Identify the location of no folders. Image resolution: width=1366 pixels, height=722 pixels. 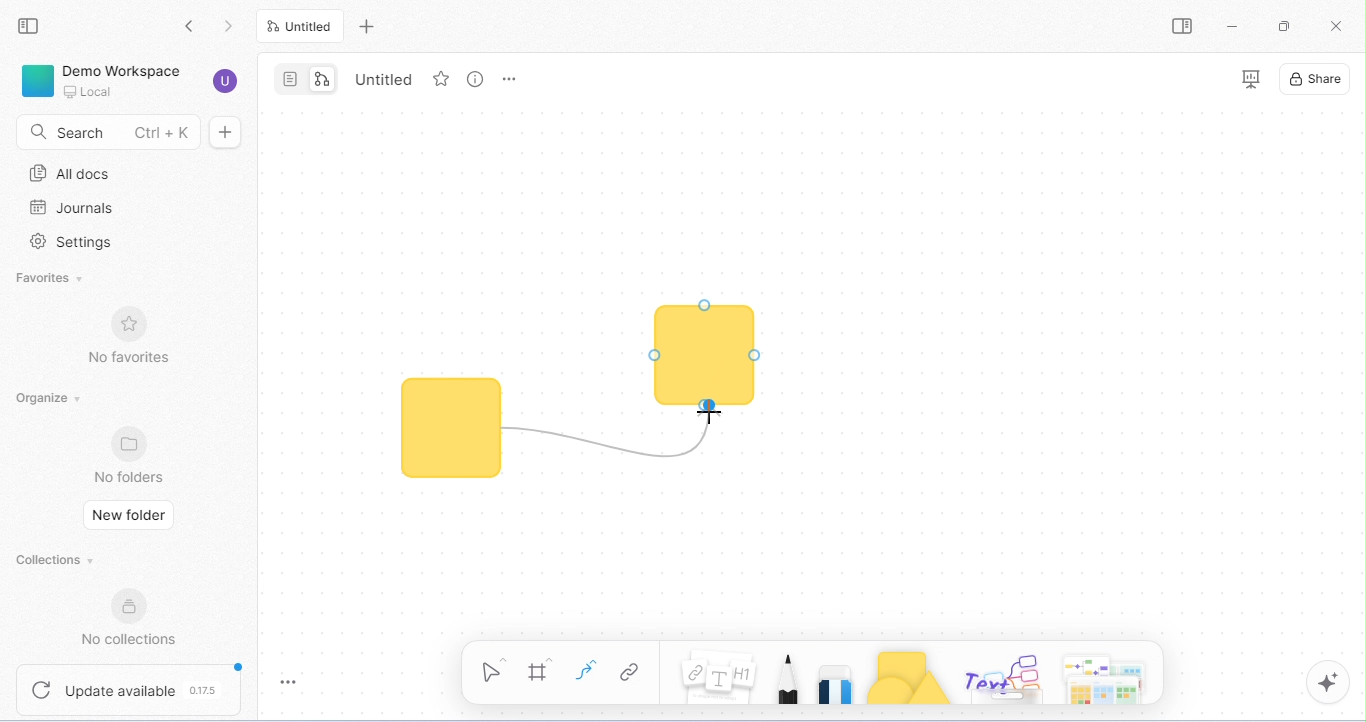
(132, 455).